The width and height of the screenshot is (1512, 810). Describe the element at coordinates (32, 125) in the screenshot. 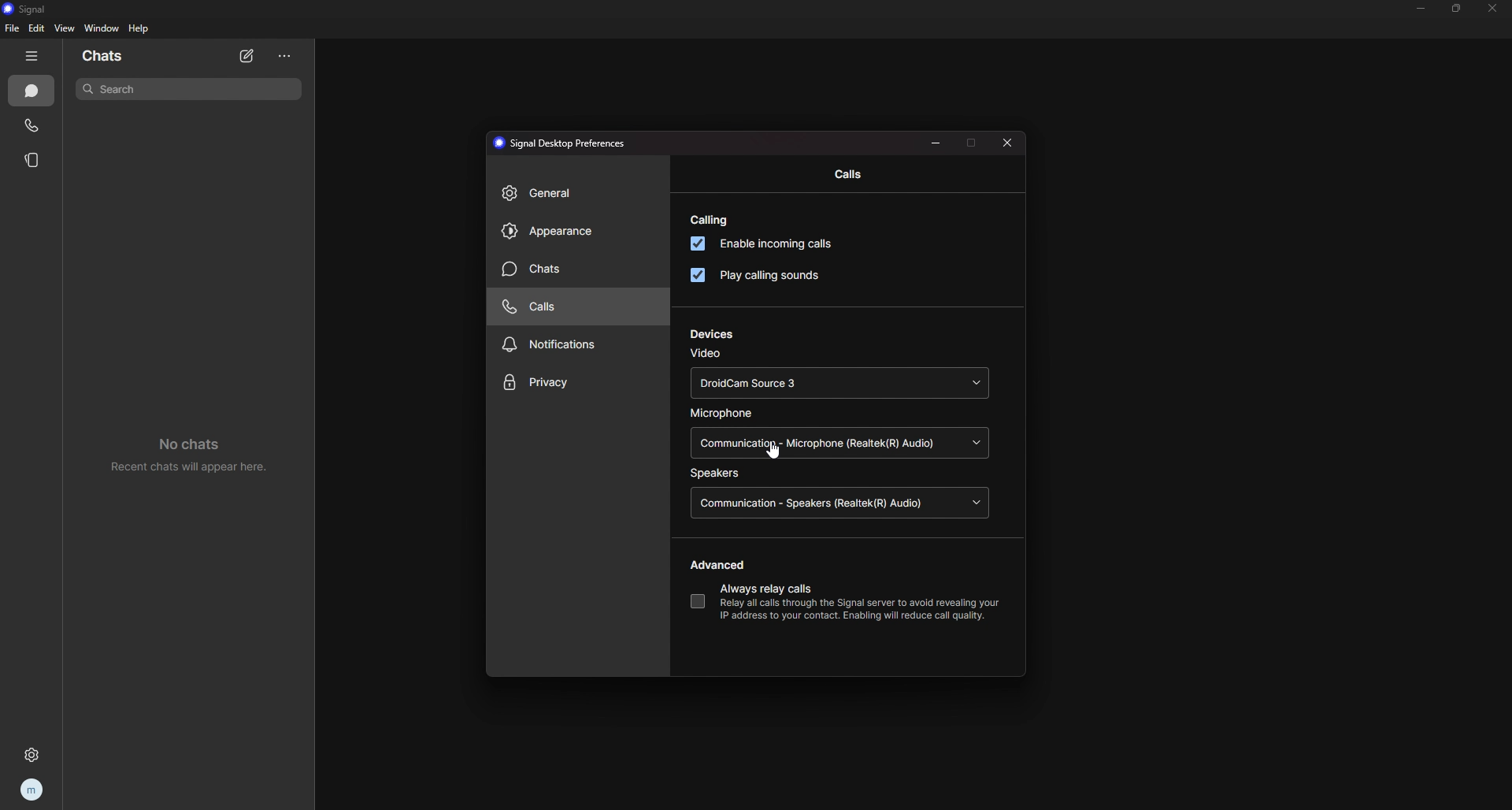

I see `calls` at that location.